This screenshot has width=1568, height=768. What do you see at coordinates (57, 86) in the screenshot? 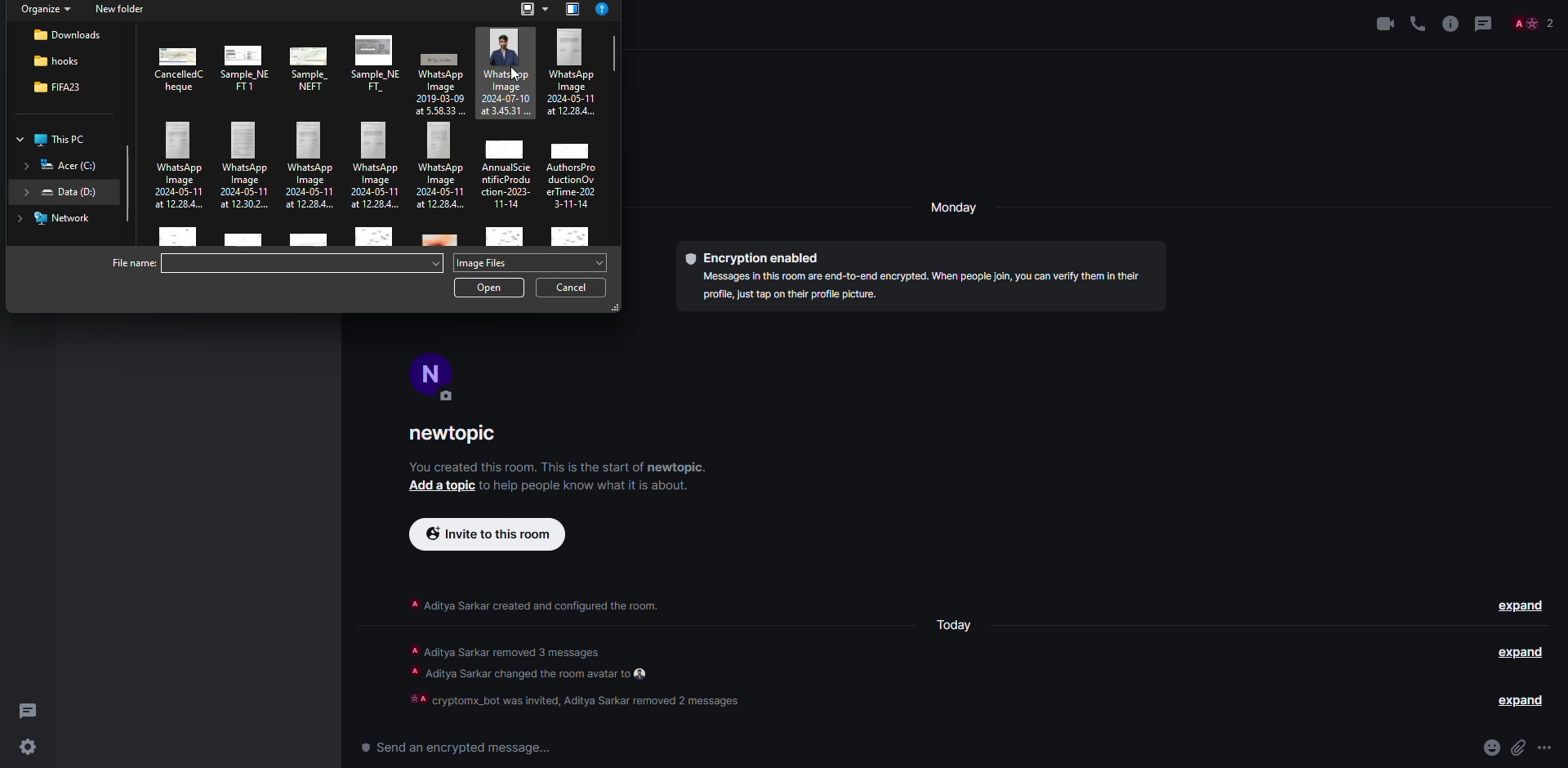
I see `fifa` at bounding box center [57, 86].